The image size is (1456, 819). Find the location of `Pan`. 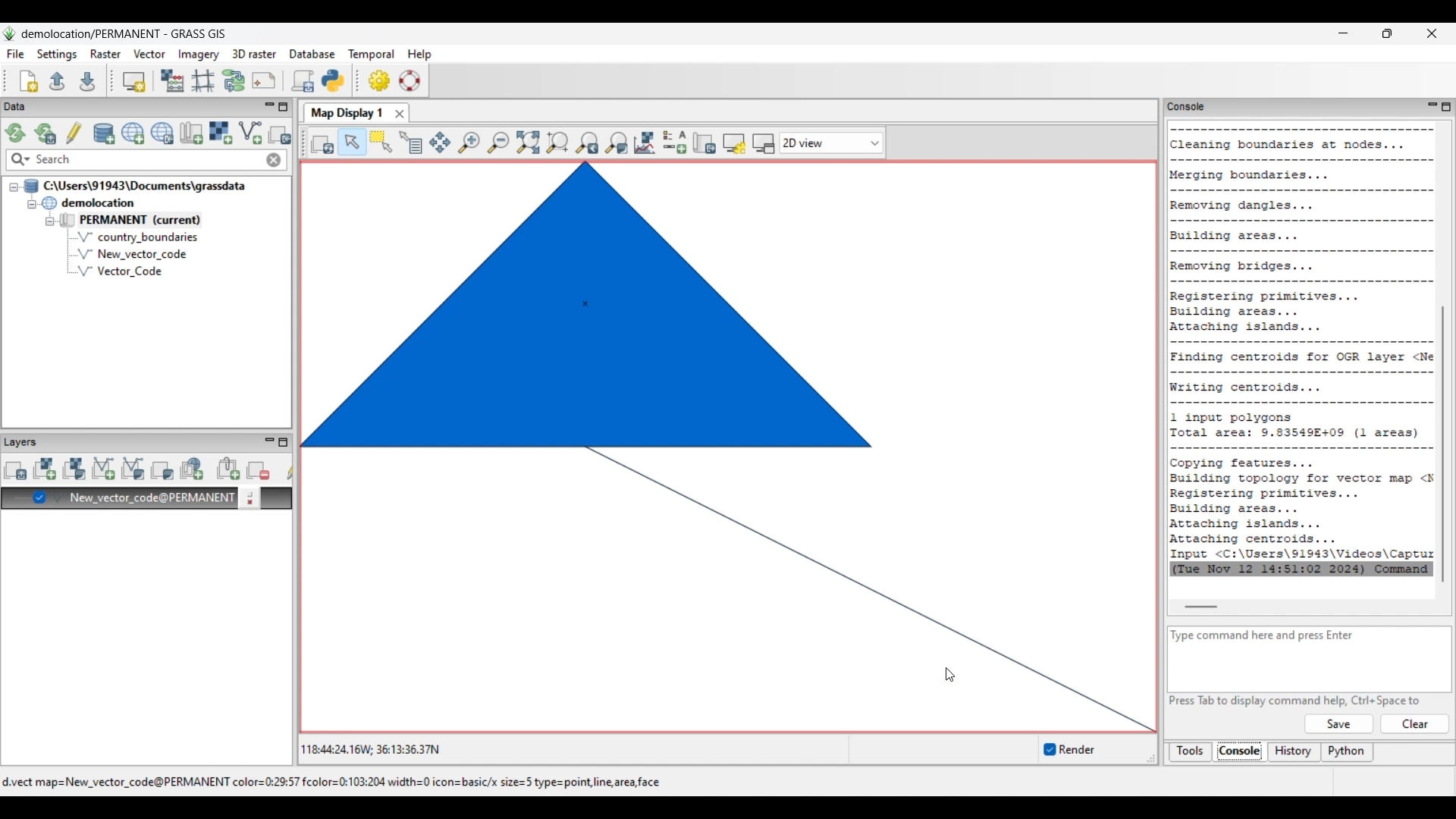

Pan is located at coordinates (440, 143).